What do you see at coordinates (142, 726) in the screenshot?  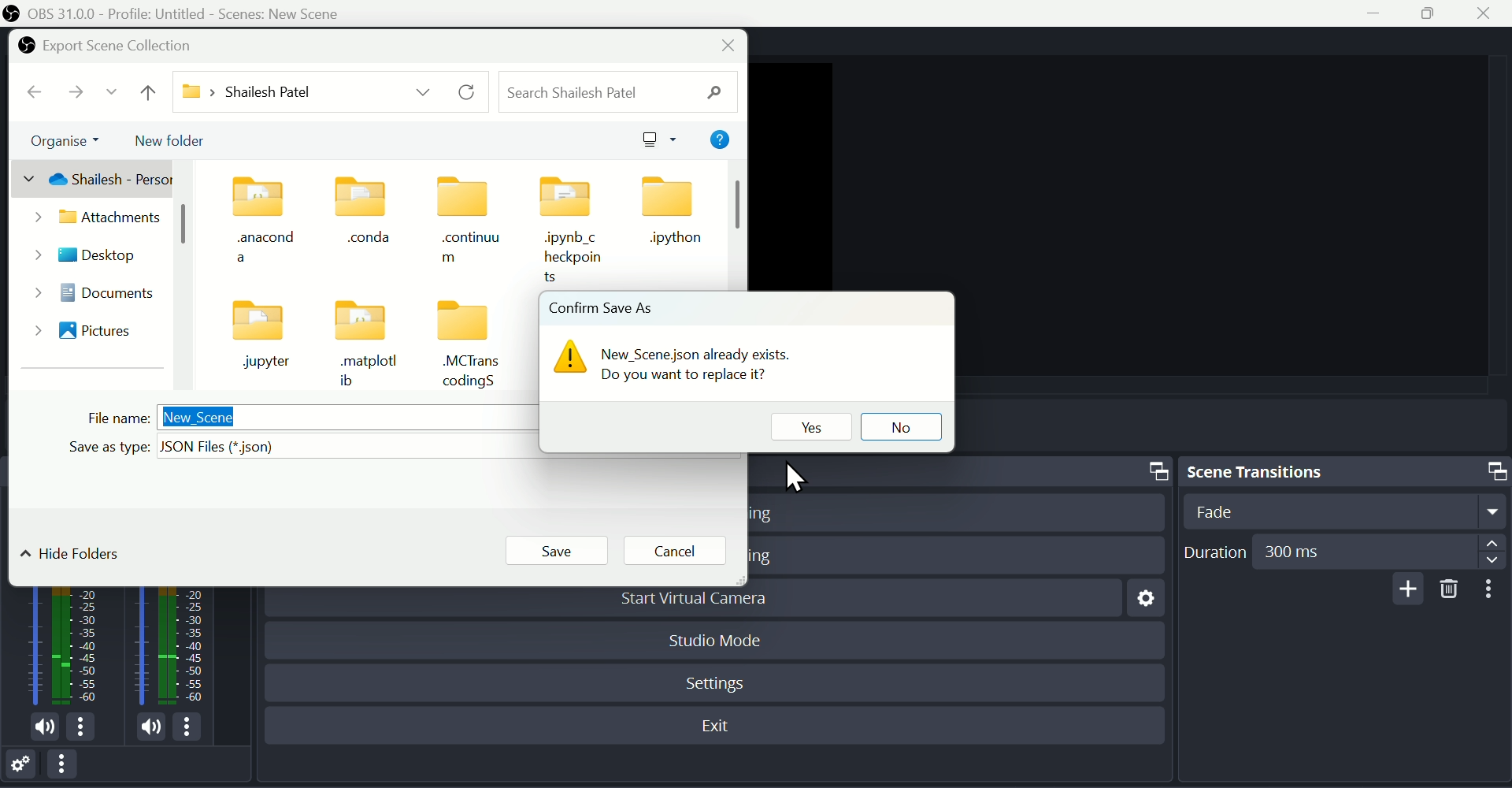 I see `volume` at bounding box center [142, 726].